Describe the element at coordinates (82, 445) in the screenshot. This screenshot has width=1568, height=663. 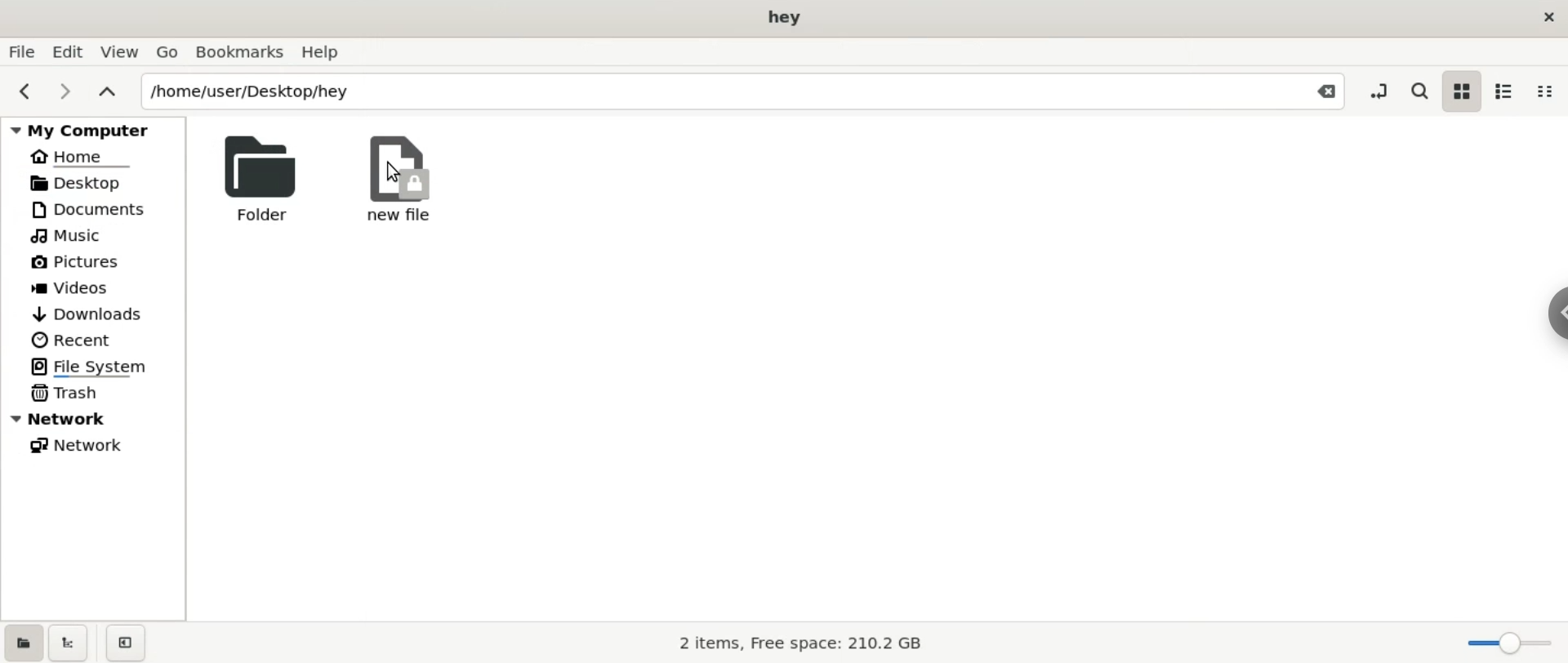
I see `Network` at that location.